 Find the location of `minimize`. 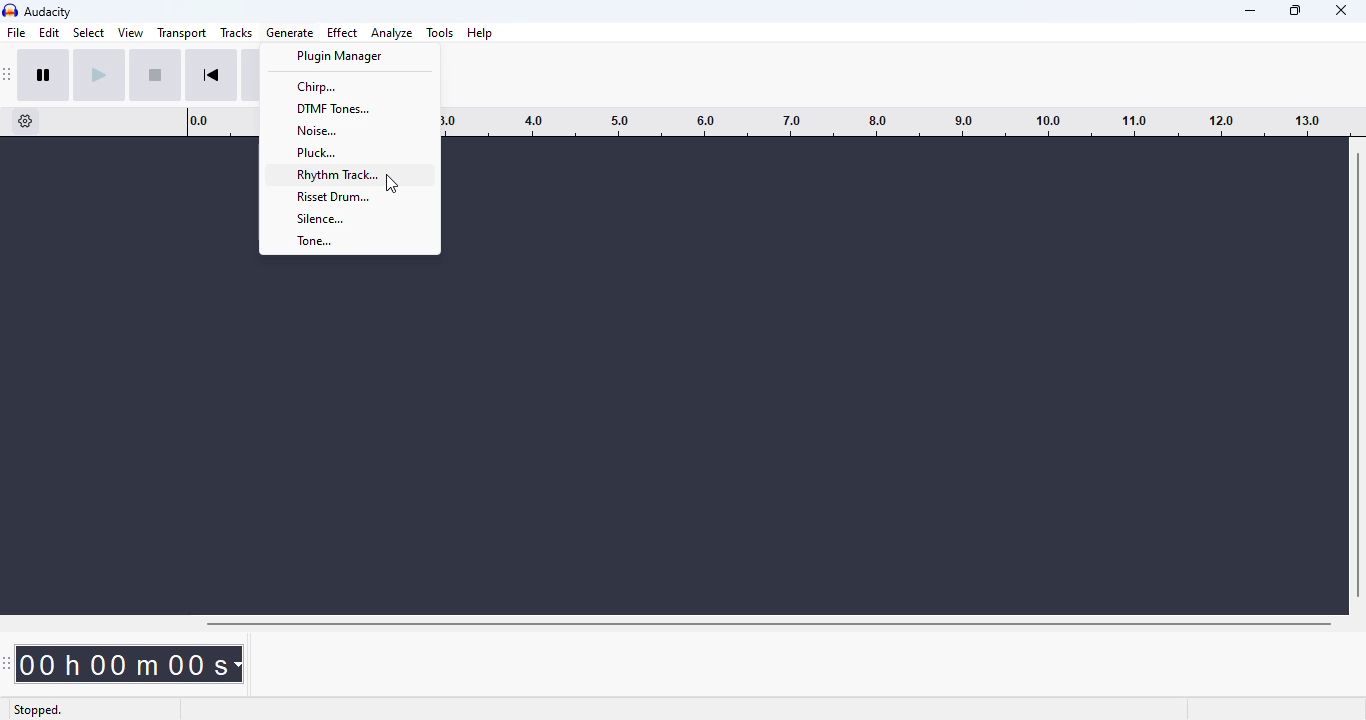

minimize is located at coordinates (1252, 11).